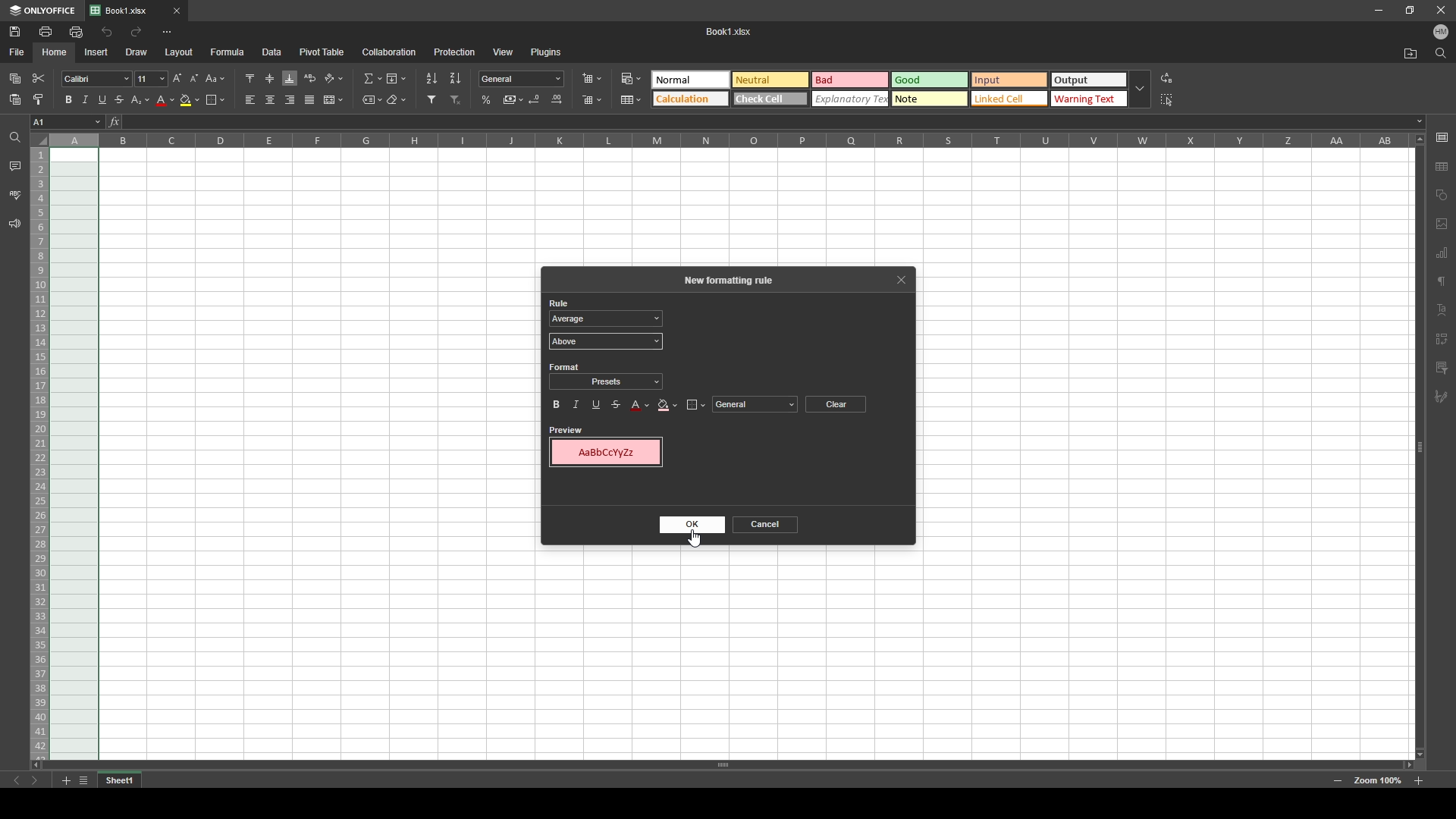 The image size is (1456, 819). I want to click on zoom out, so click(1338, 782).